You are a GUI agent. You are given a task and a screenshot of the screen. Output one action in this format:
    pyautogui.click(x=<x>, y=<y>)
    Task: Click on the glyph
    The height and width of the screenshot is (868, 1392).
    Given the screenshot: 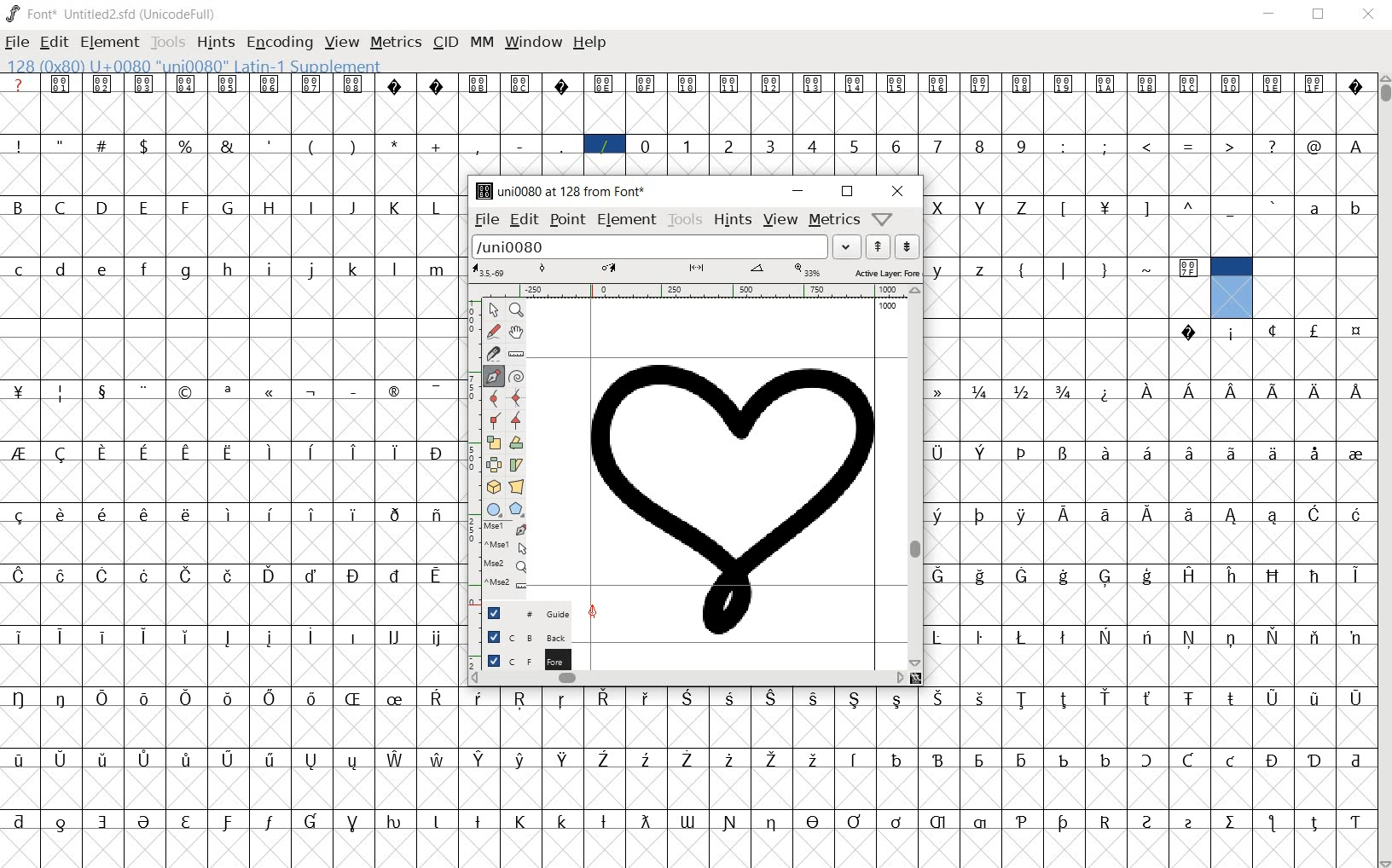 What is the action you would take?
    pyautogui.click(x=435, y=208)
    